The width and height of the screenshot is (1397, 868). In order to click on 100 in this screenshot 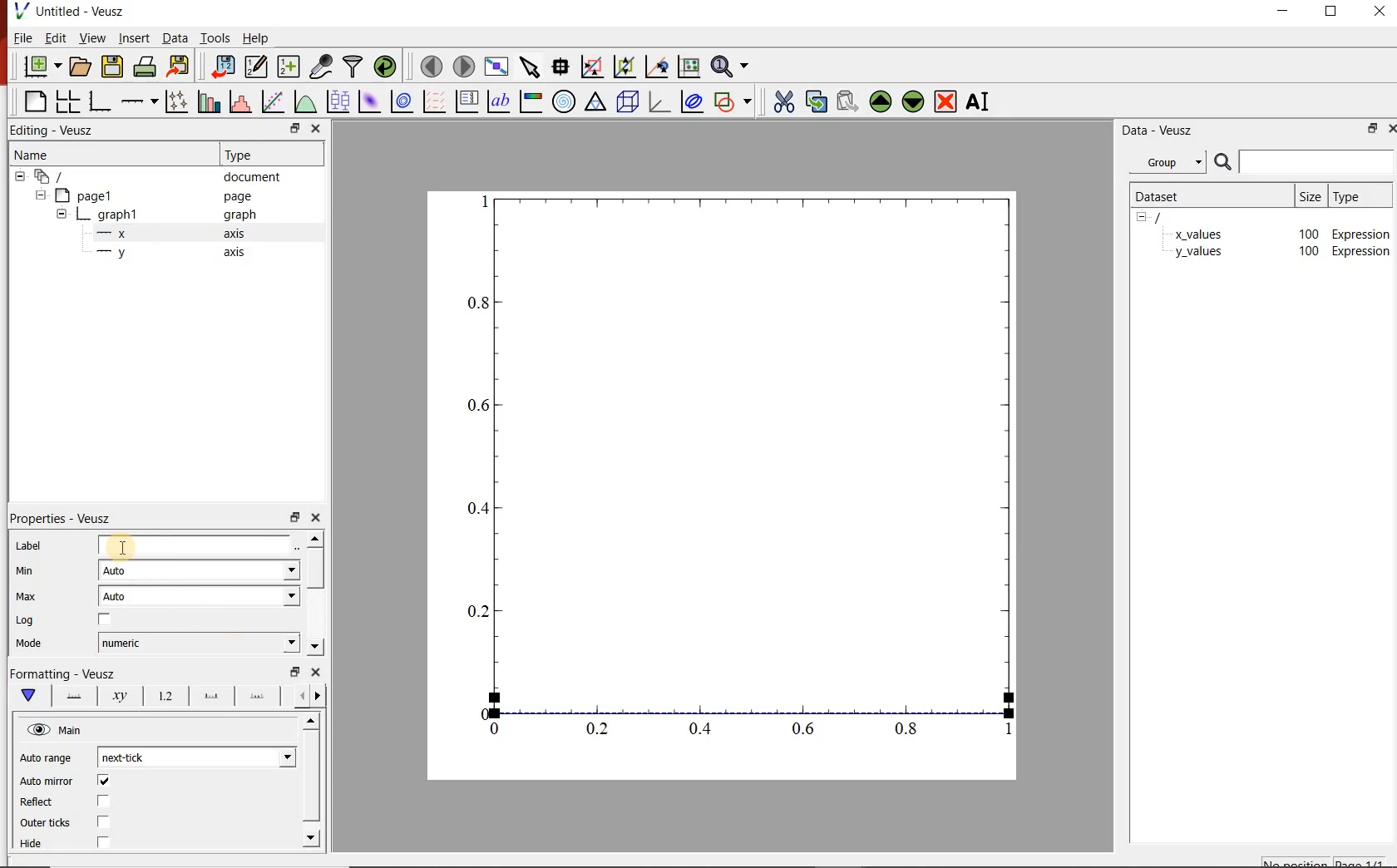, I will do `click(1308, 233)`.